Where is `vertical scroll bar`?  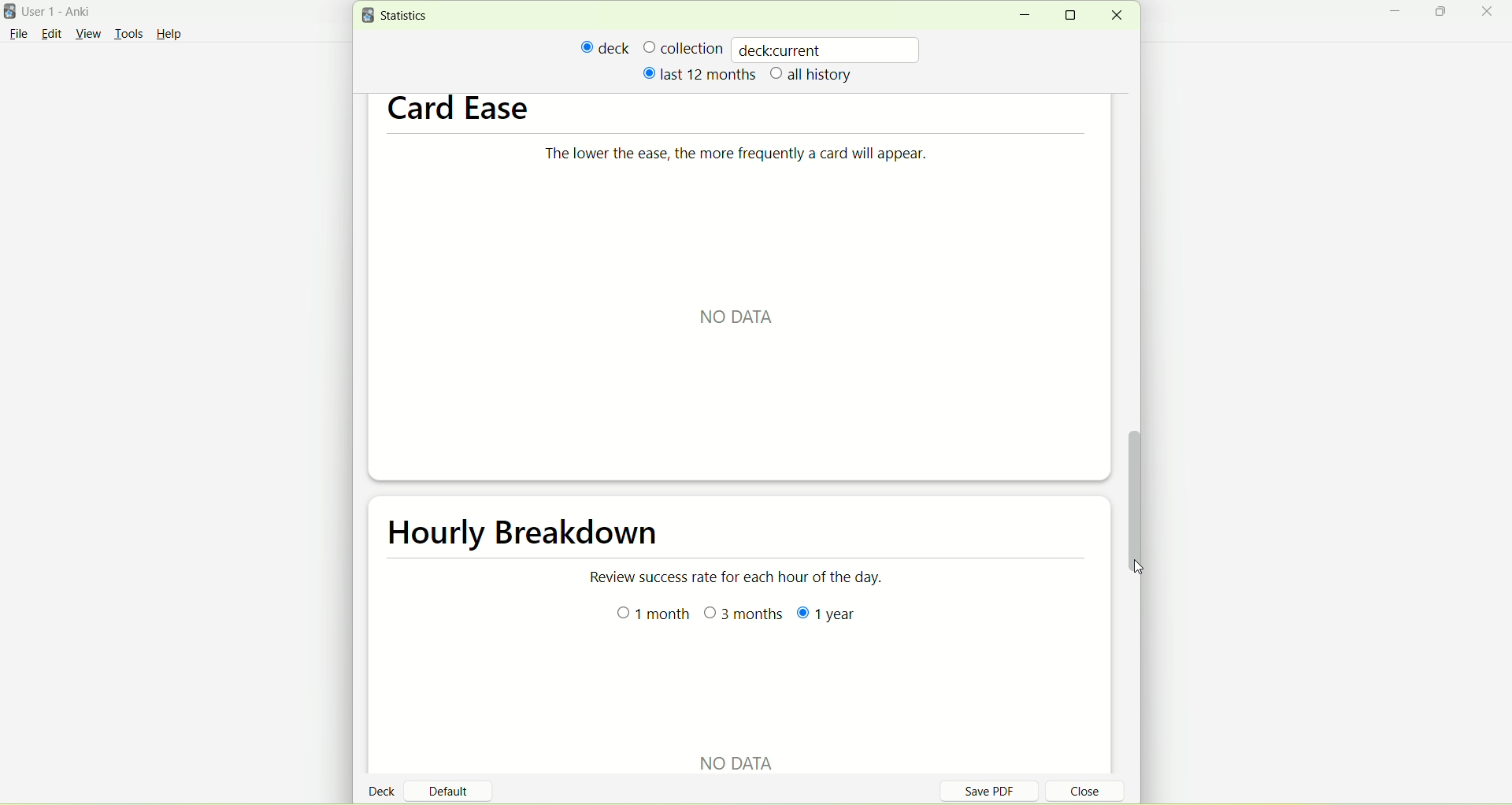
vertical scroll bar is located at coordinates (1135, 491).